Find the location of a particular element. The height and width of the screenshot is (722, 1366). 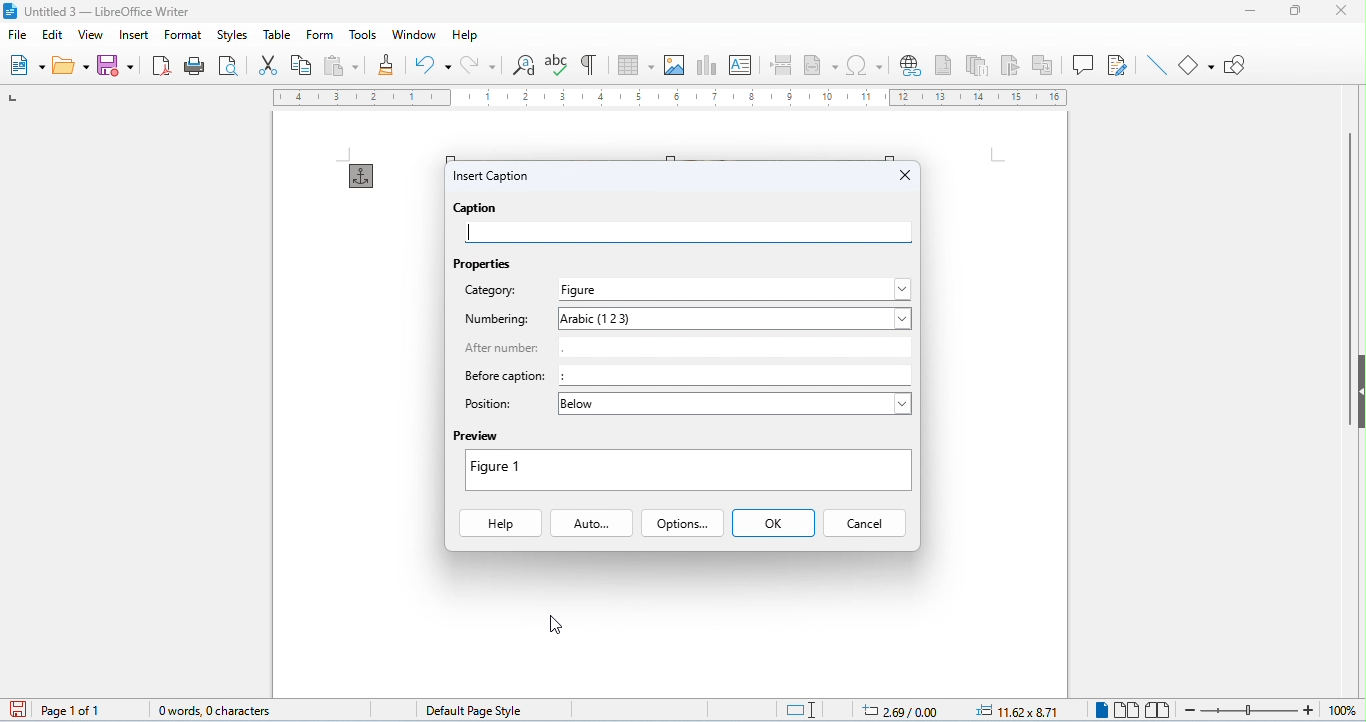

new is located at coordinates (28, 65).